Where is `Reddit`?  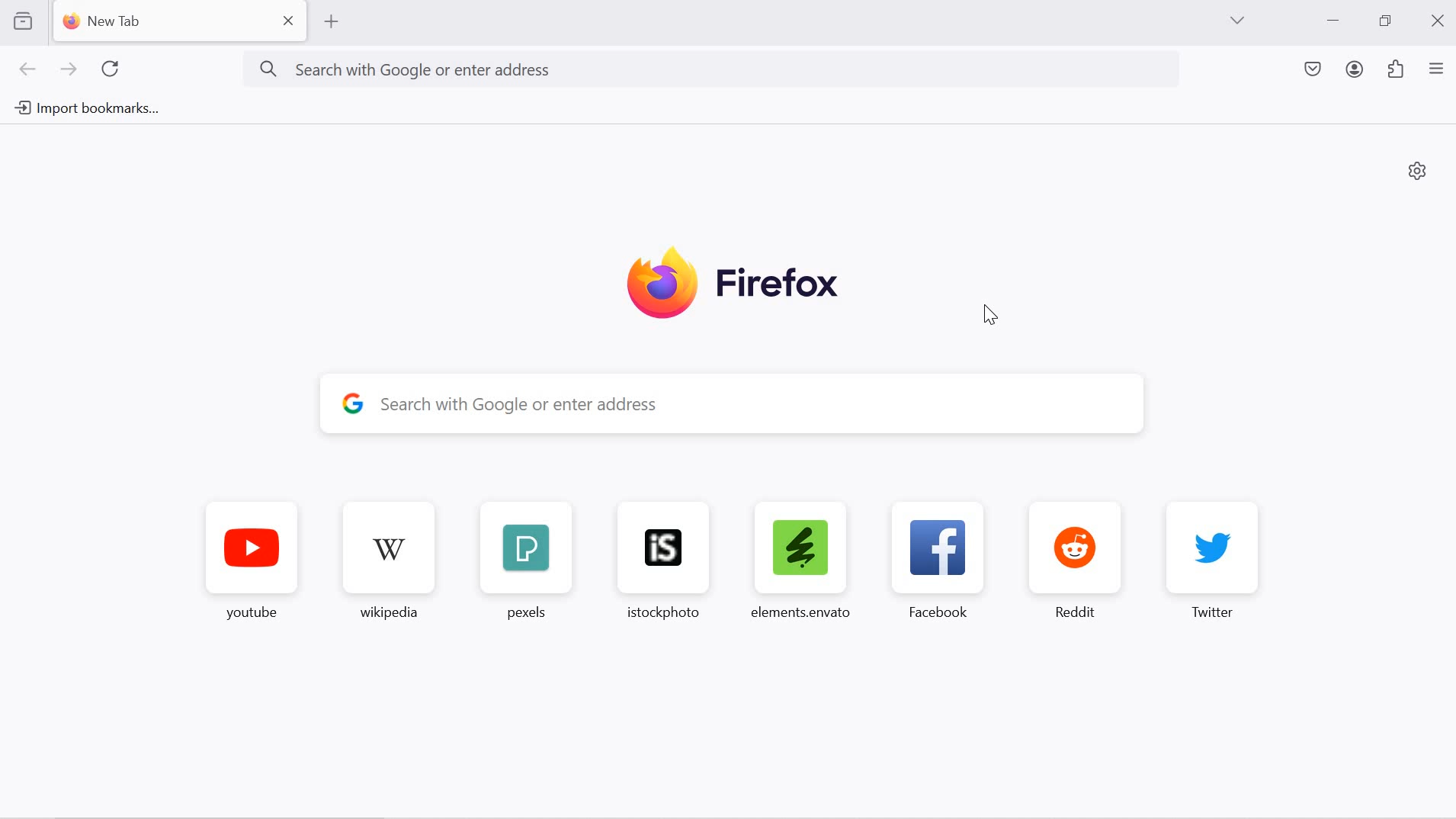
Reddit is located at coordinates (1076, 571).